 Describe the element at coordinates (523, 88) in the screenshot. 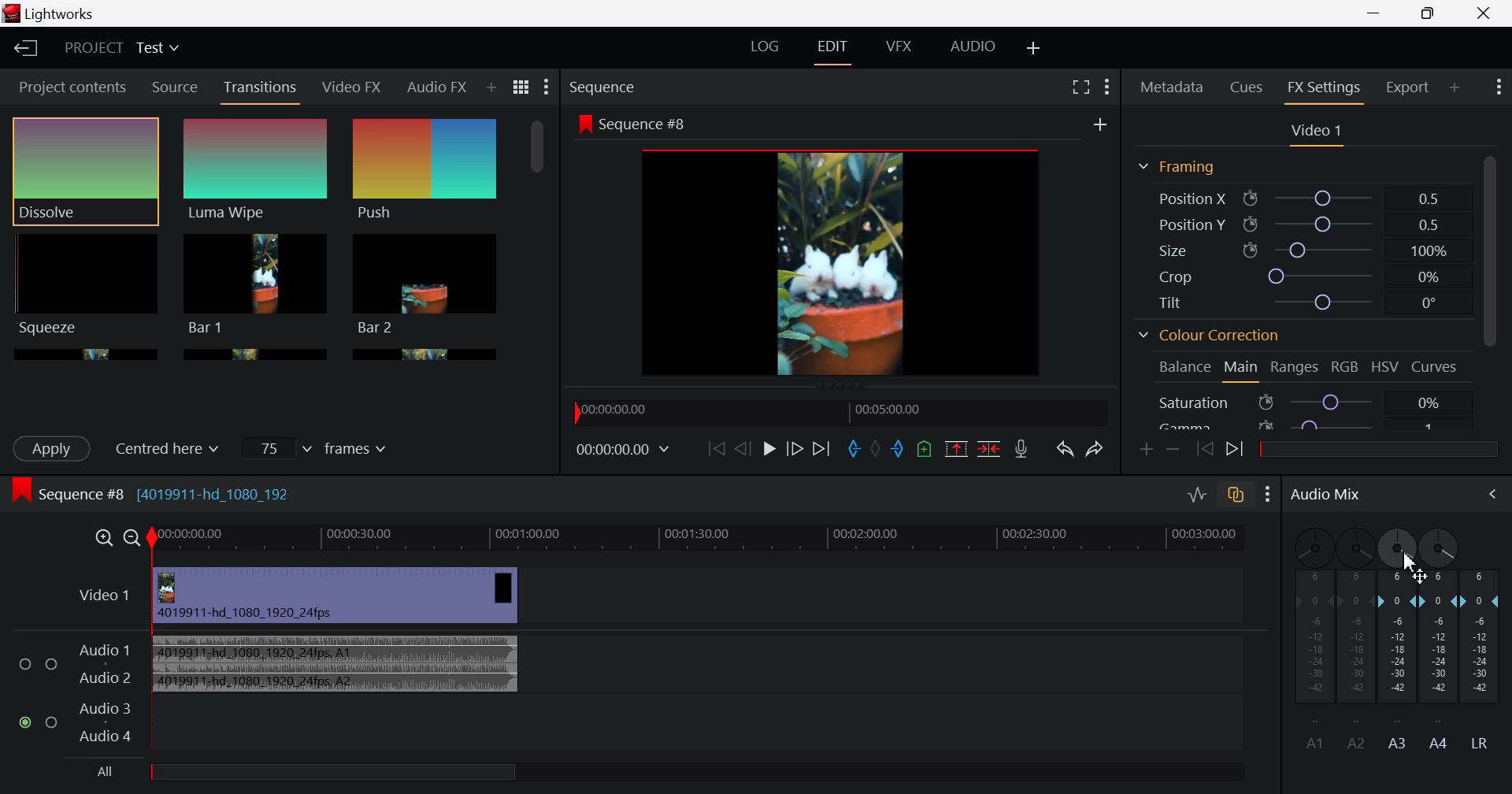

I see `Toggle list and title view` at that location.